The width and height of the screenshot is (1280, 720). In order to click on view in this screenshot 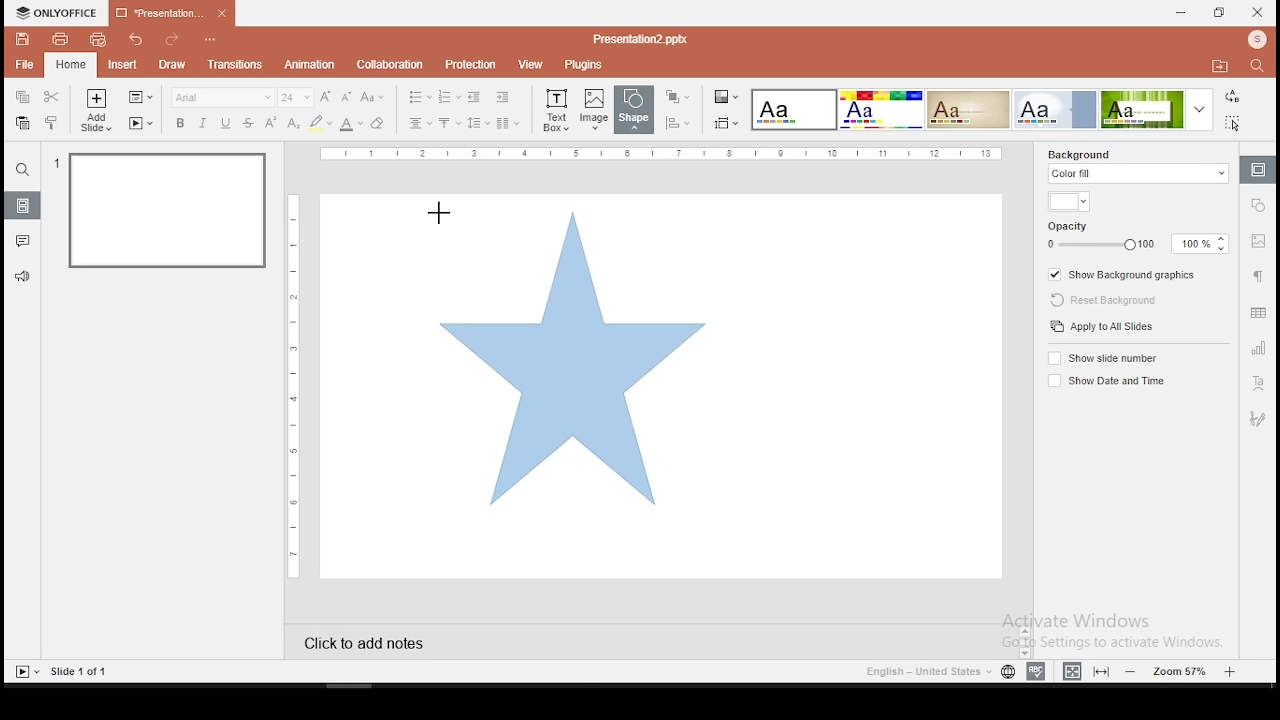, I will do `click(528, 65)`.